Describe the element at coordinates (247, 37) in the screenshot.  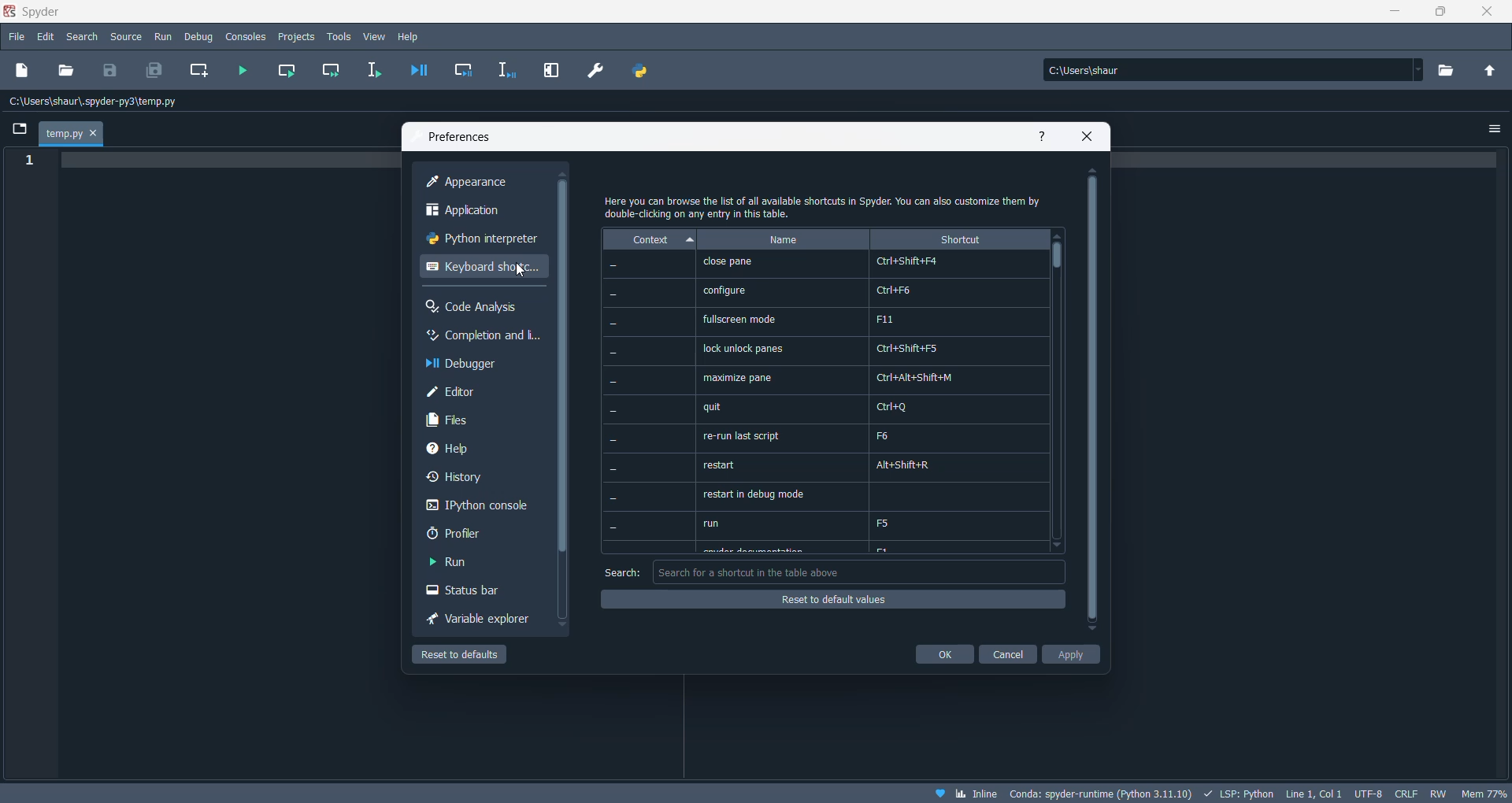
I see `consoles` at that location.